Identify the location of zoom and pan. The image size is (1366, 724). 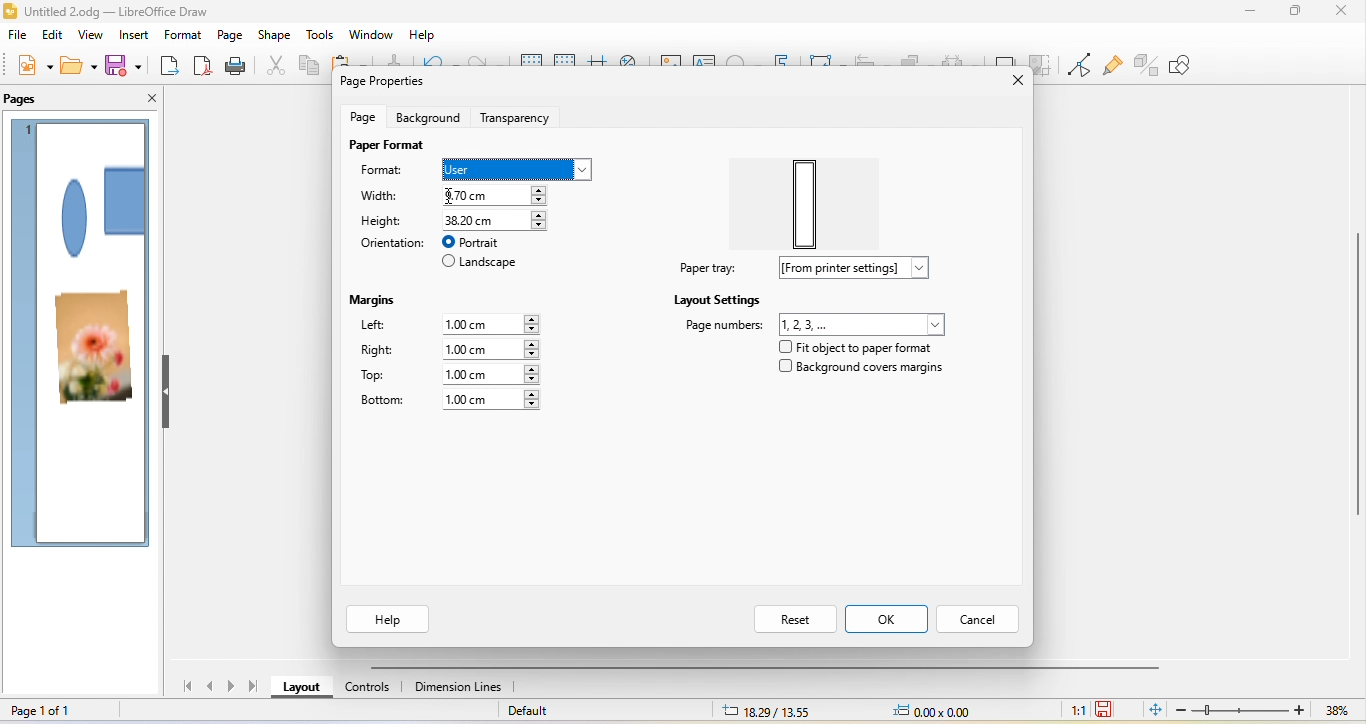
(637, 59).